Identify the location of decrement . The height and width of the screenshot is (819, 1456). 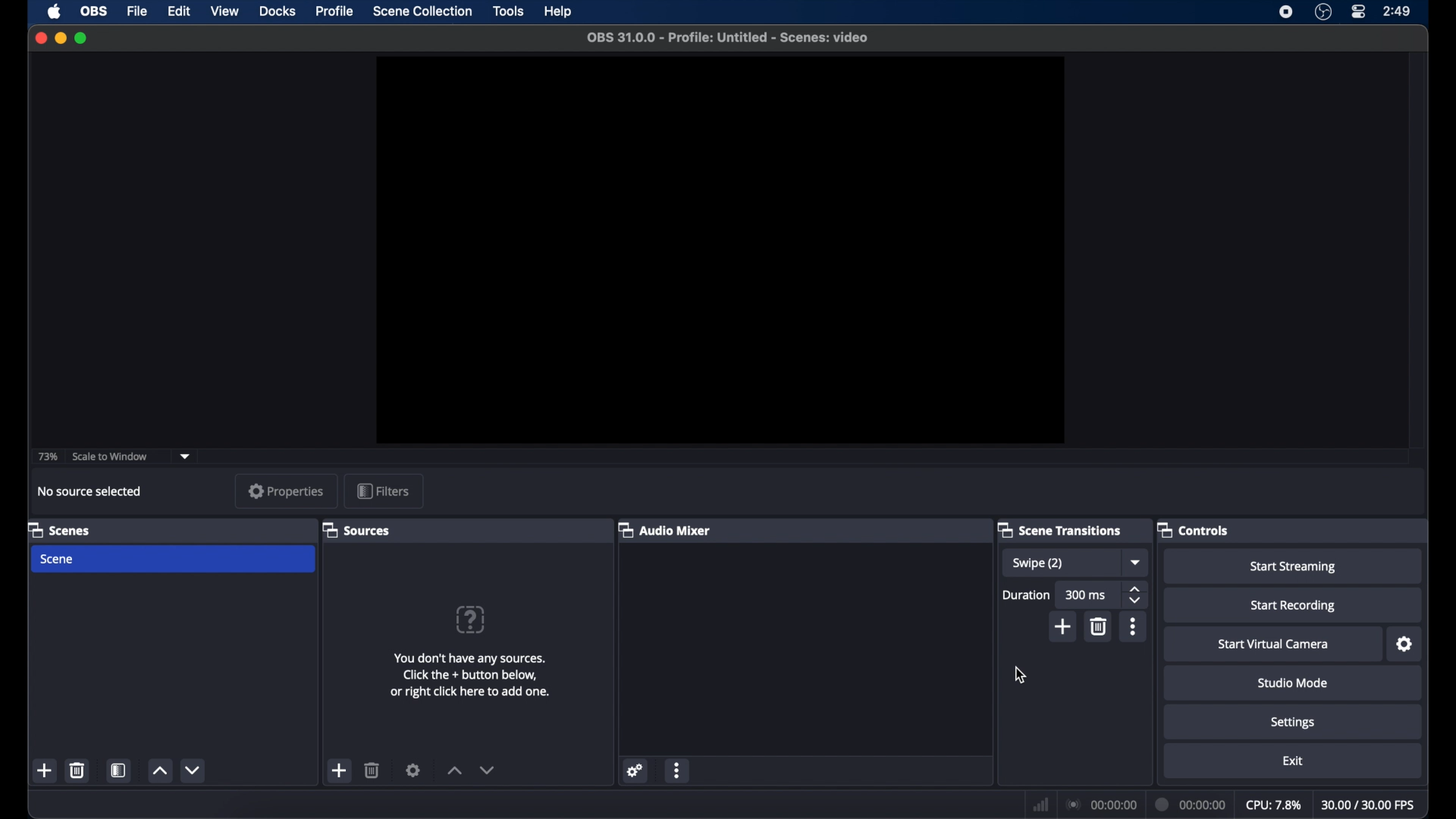
(194, 770).